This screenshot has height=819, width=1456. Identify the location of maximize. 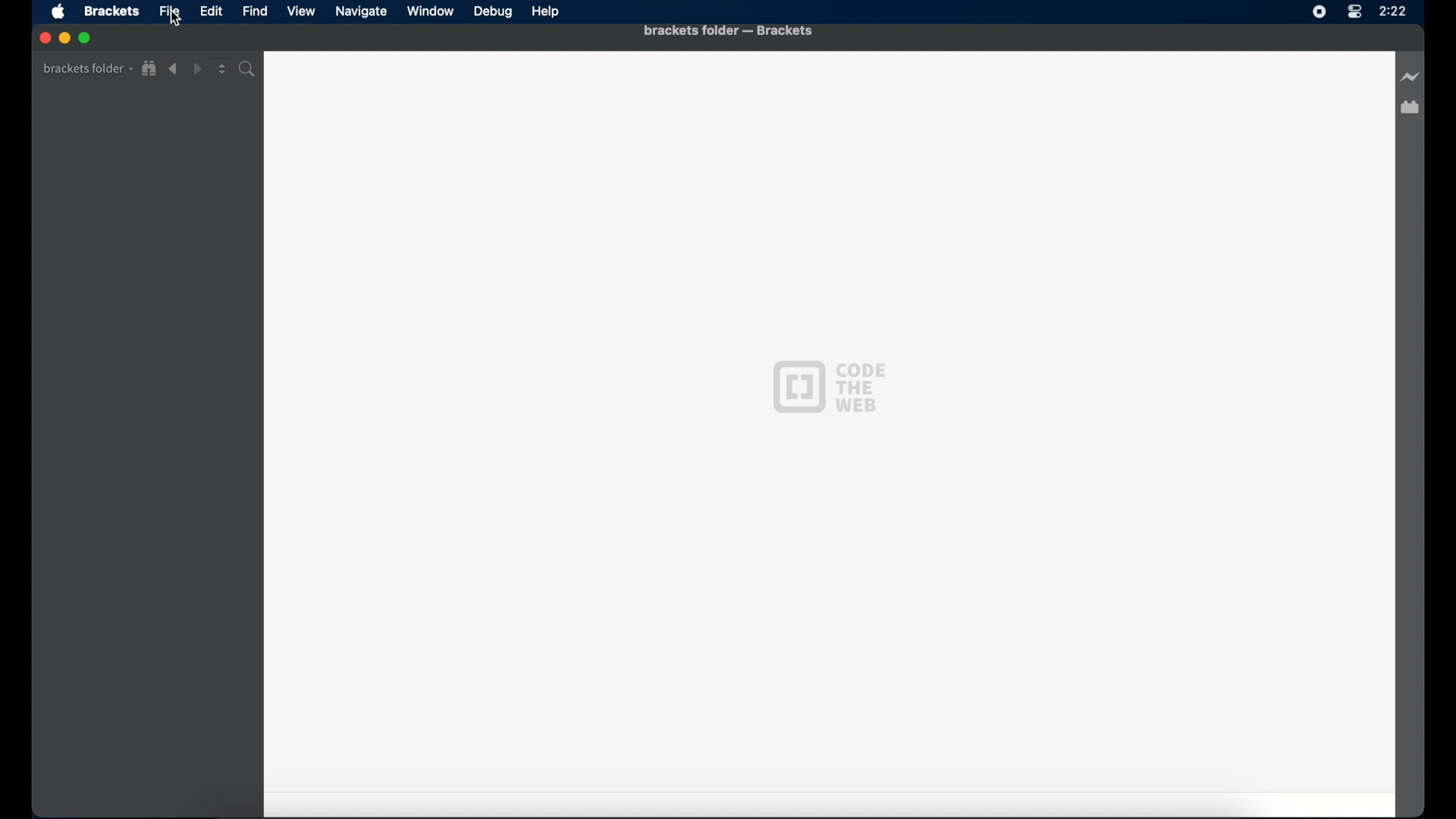
(86, 39).